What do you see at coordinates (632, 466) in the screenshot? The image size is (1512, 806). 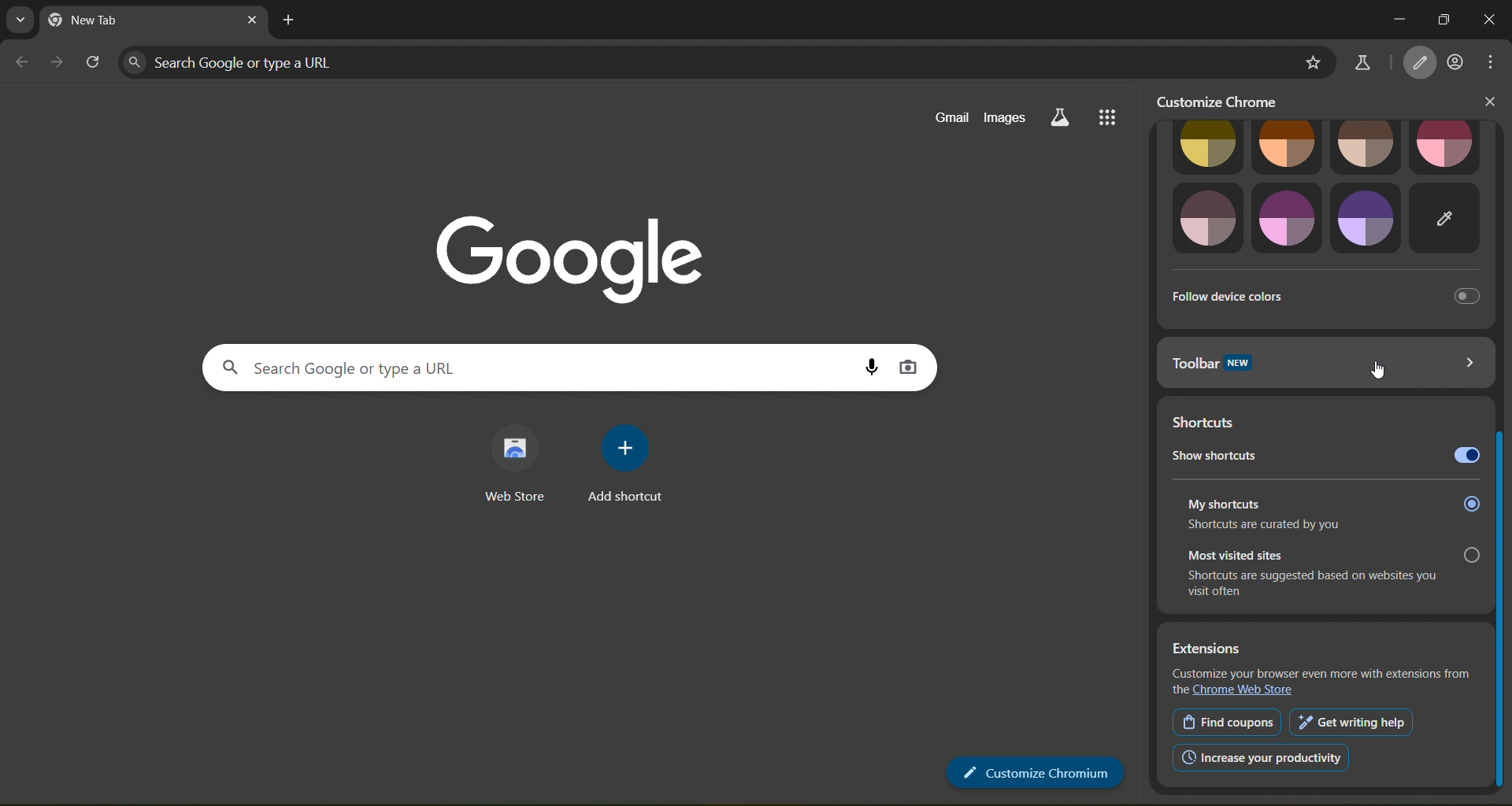 I see `add shortcut` at bounding box center [632, 466].